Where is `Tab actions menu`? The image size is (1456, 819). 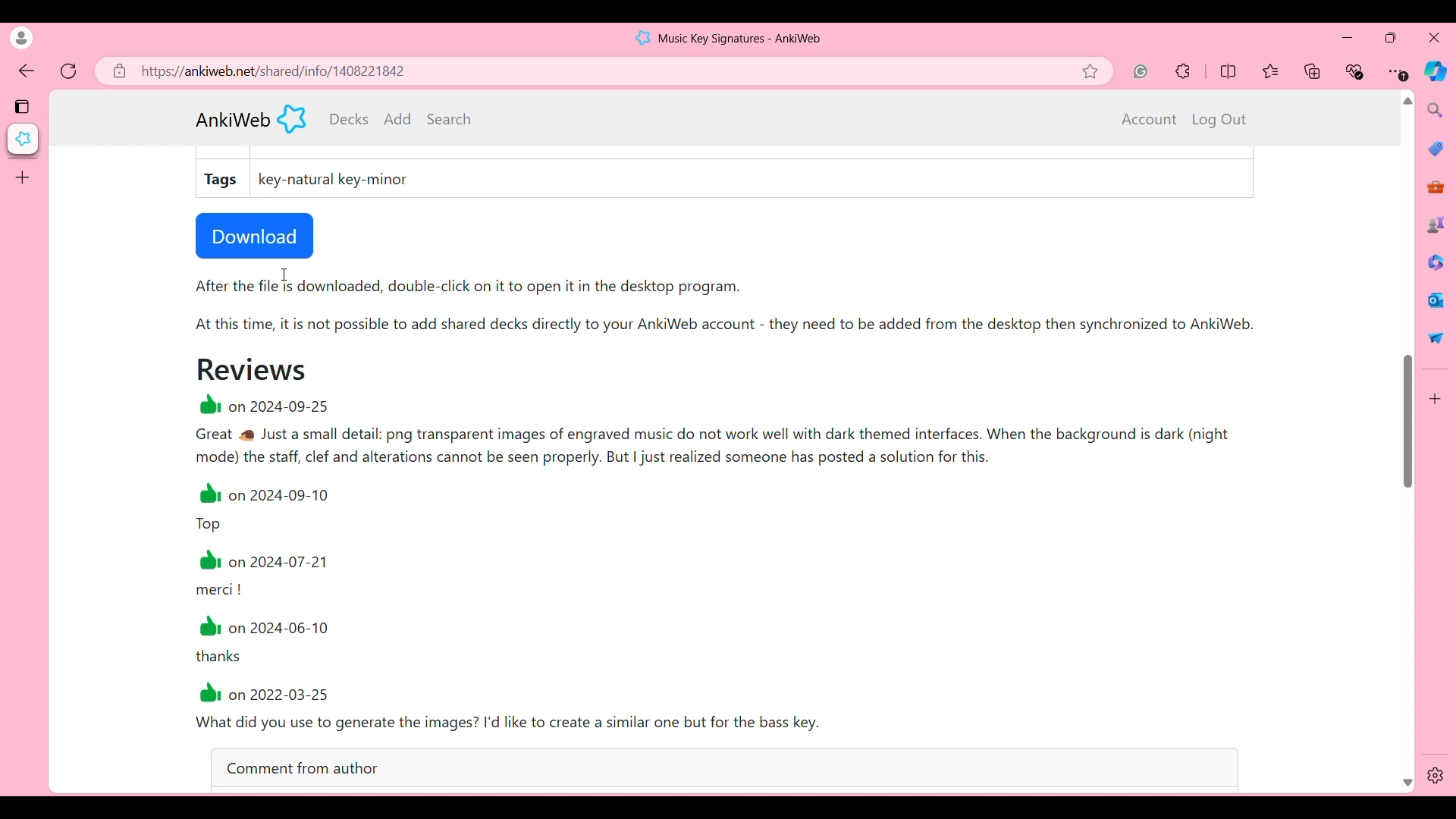 Tab actions menu is located at coordinates (24, 105).